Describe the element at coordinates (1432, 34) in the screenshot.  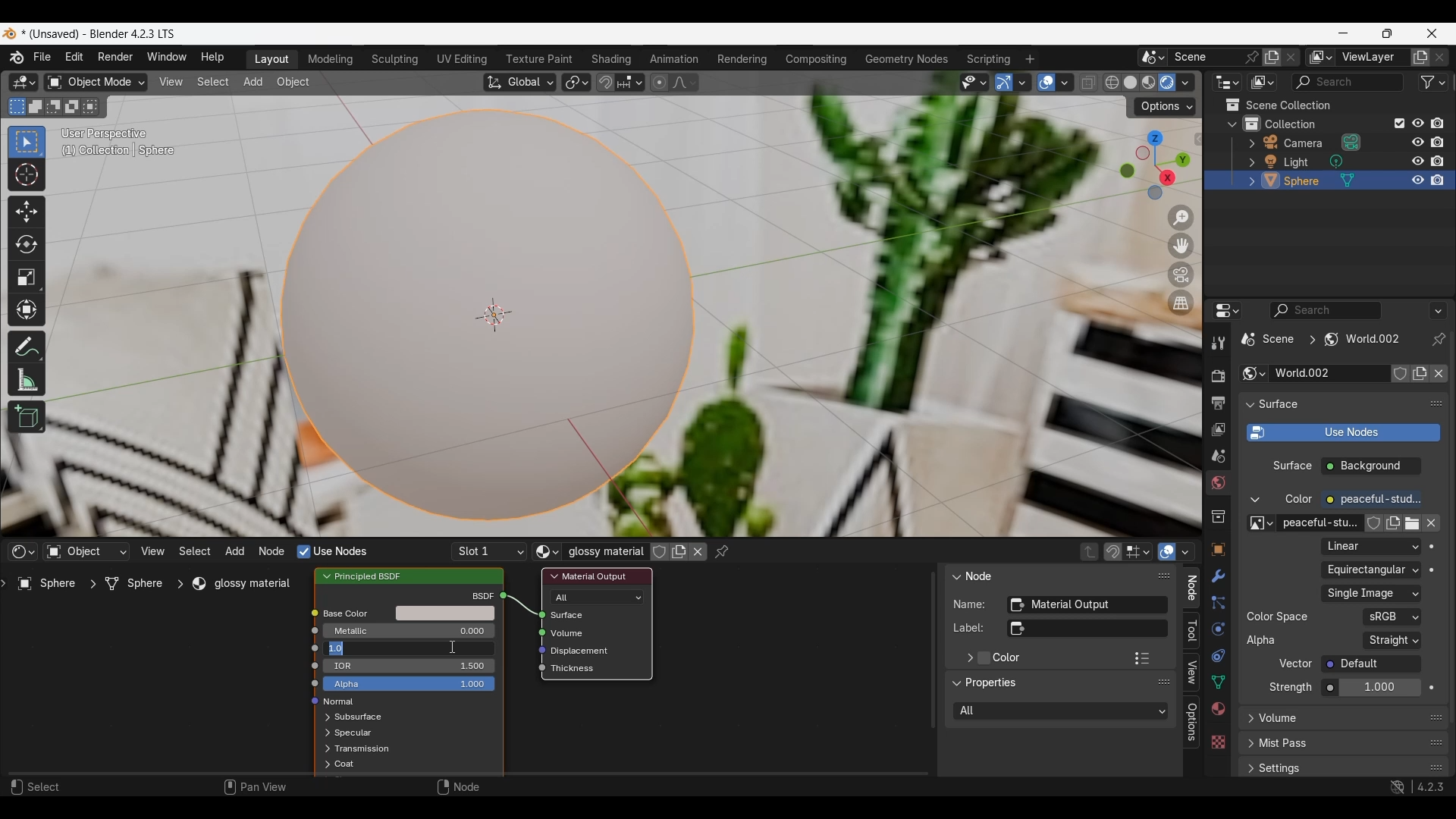
I see `Close interface` at that location.